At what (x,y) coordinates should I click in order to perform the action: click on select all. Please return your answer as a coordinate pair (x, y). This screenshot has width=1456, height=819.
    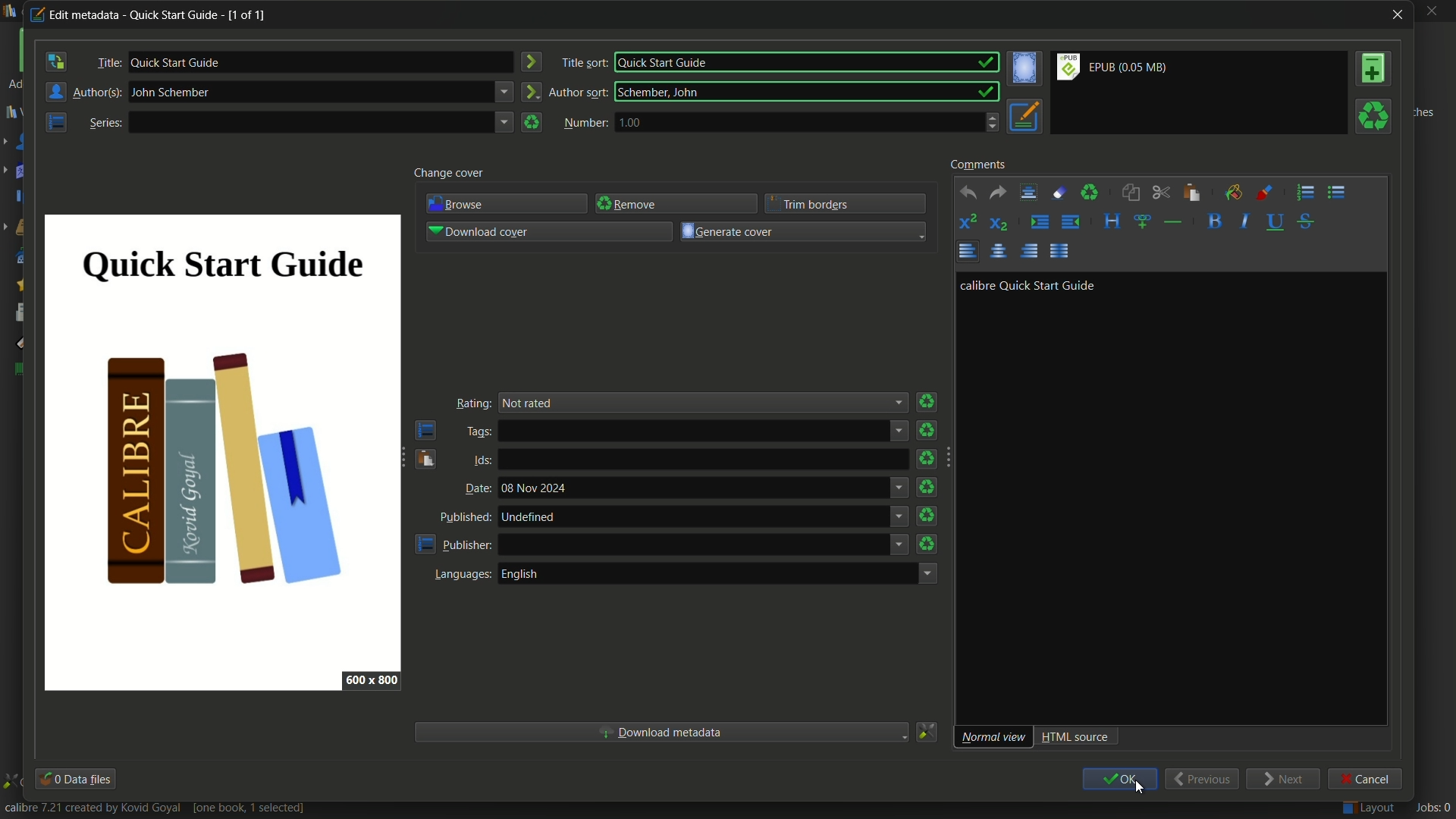
    Looking at the image, I should click on (1029, 193).